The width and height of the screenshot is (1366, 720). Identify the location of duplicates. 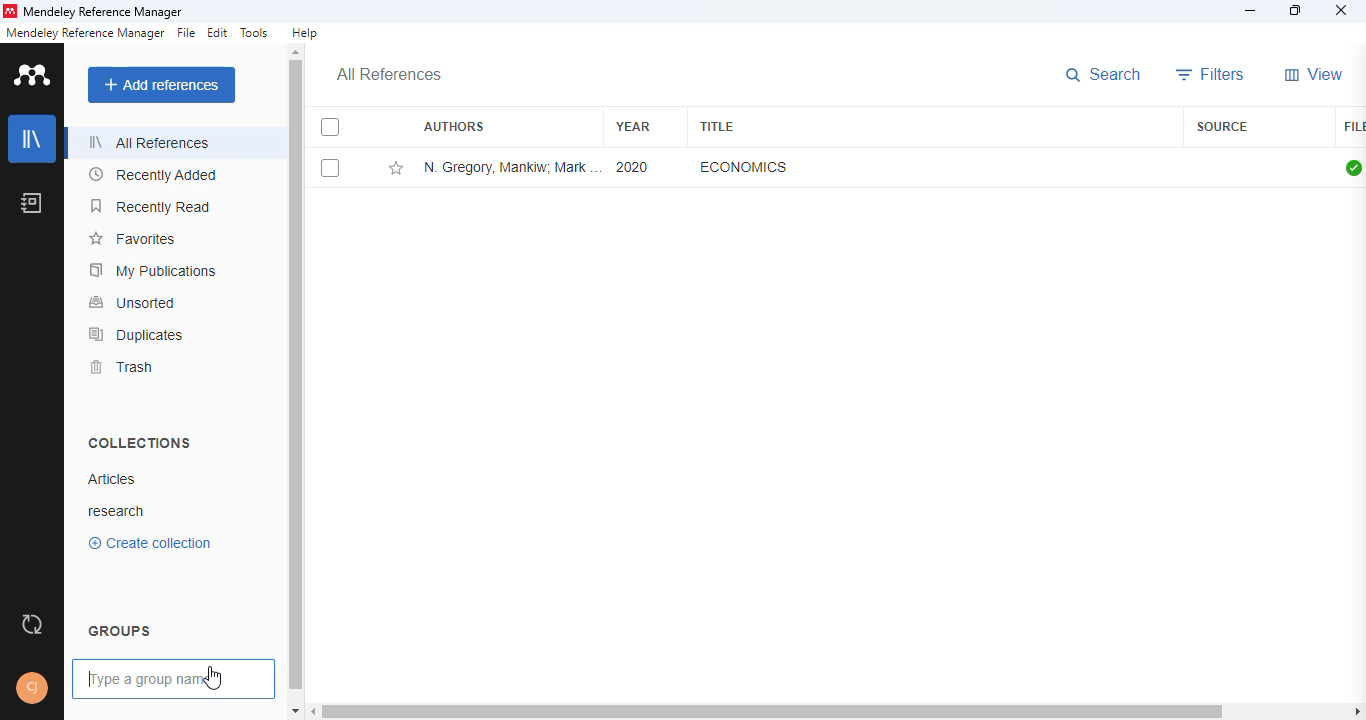
(138, 335).